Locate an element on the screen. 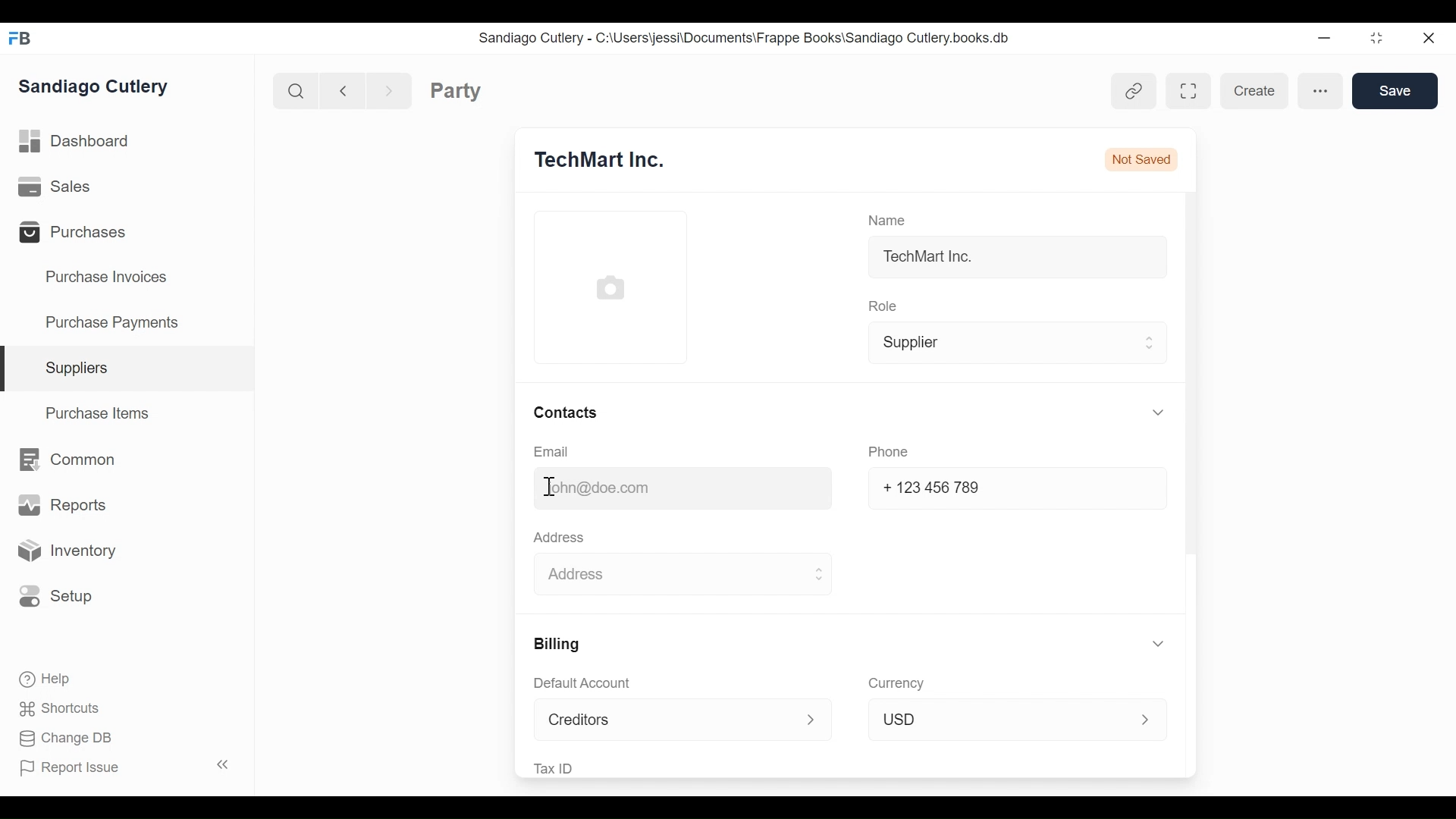 The width and height of the screenshot is (1456, 819). search is located at coordinates (298, 92).